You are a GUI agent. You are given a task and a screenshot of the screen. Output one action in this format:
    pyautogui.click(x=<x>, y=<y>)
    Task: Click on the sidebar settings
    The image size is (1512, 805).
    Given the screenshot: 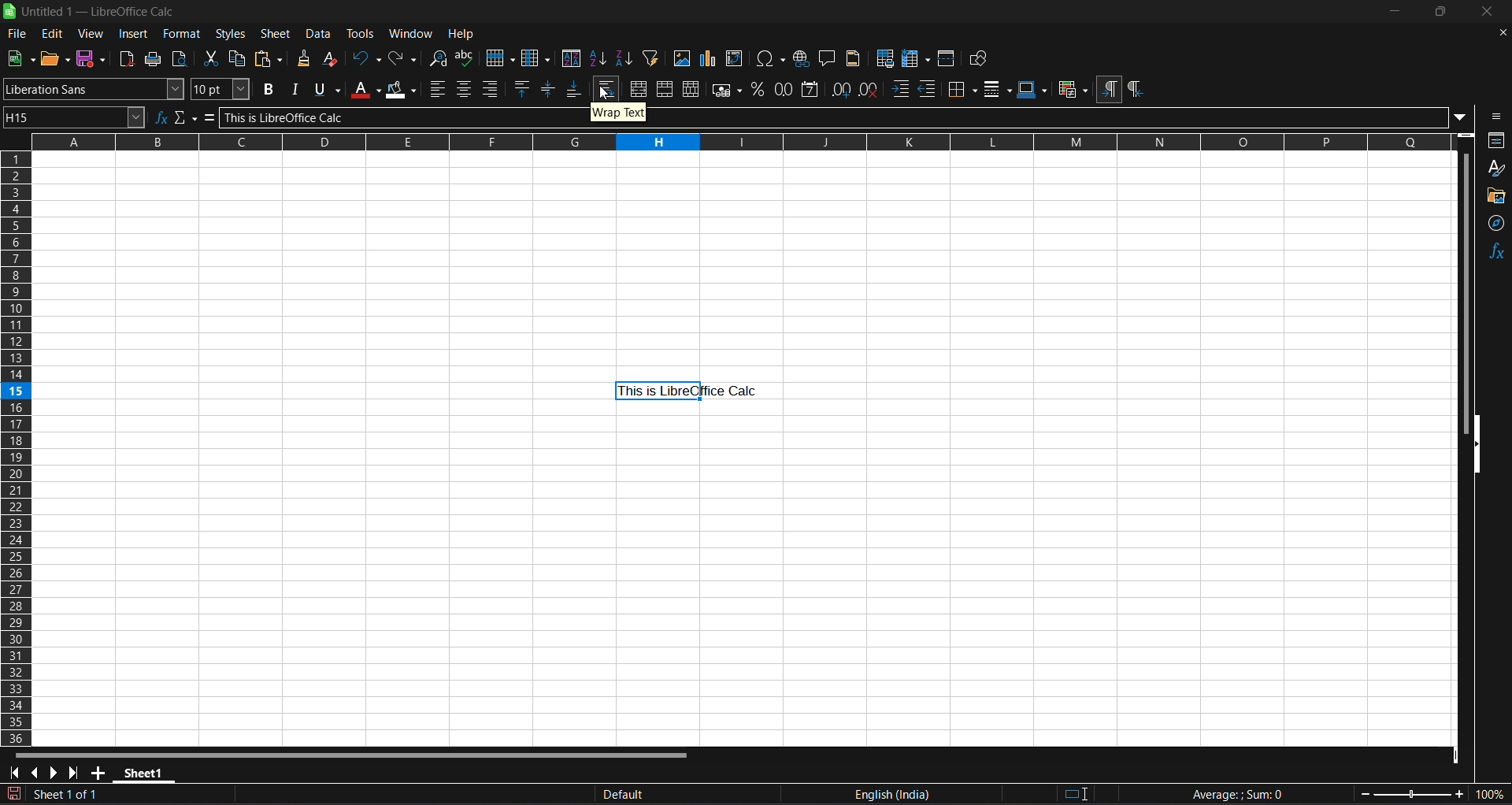 What is the action you would take?
    pyautogui.click(x=1495, y=117)
    